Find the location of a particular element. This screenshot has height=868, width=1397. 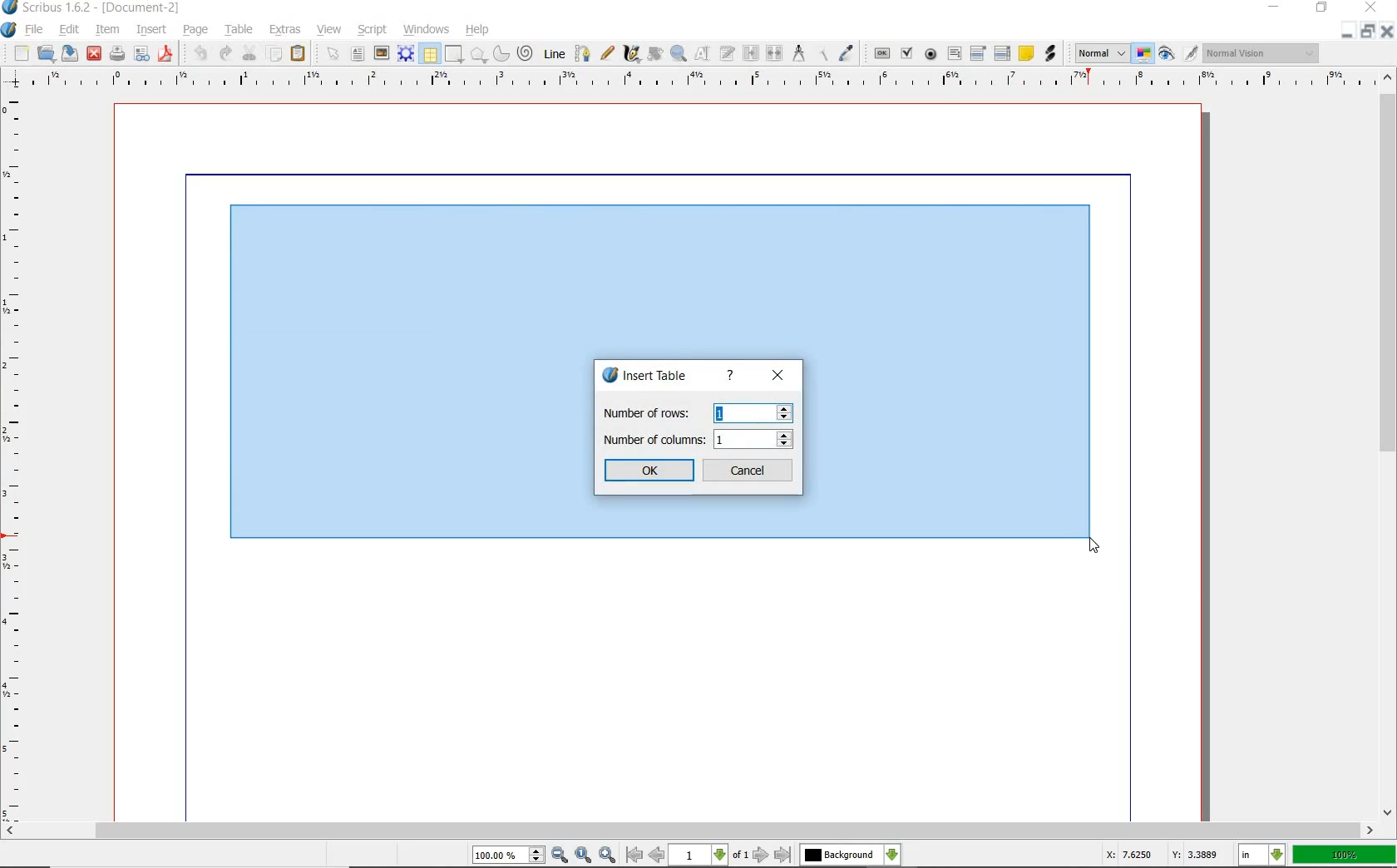

select item is located at coordinates (332, 52).